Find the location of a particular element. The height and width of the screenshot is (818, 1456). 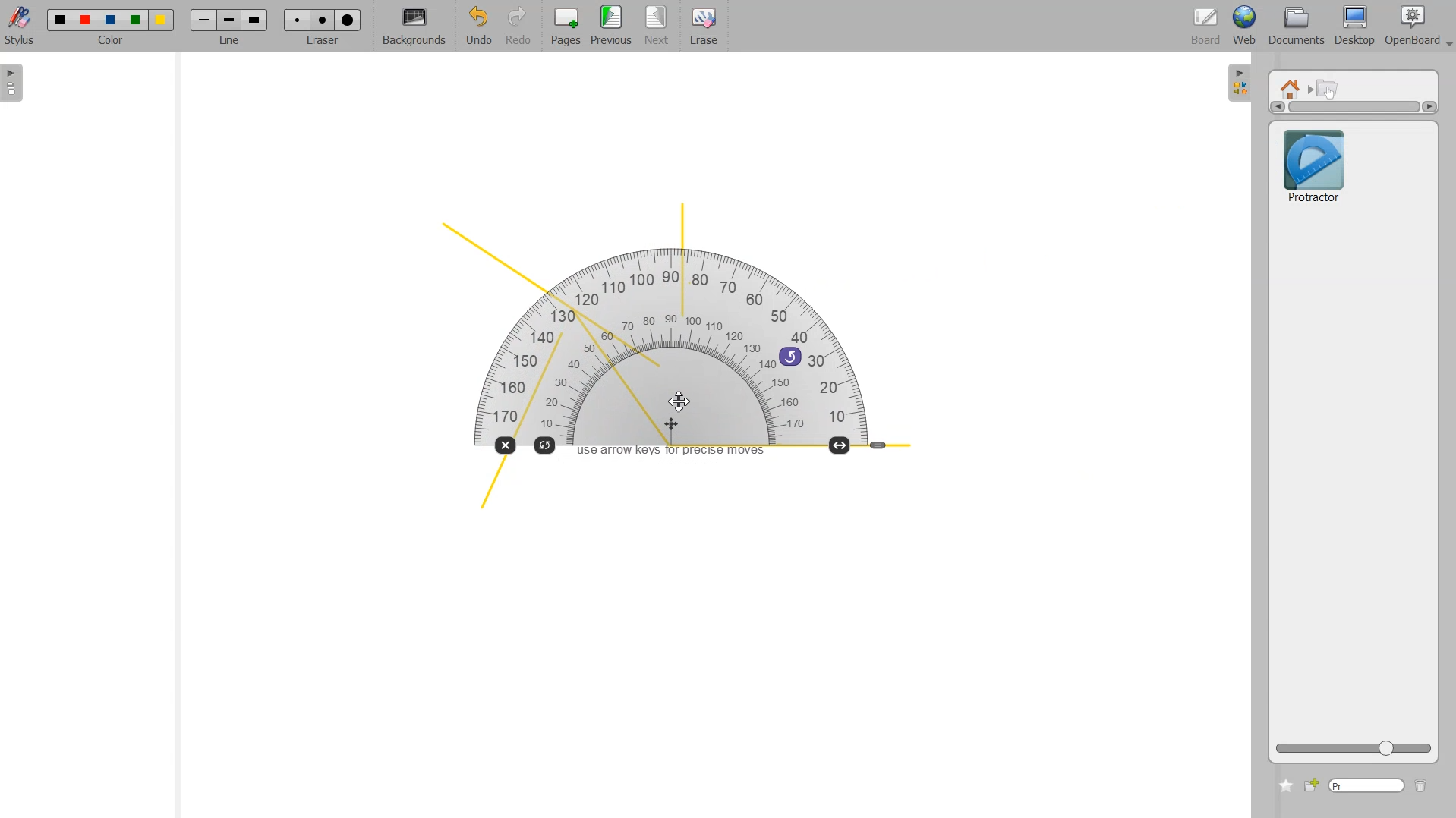

Web is located at coordinates (1245, 27).